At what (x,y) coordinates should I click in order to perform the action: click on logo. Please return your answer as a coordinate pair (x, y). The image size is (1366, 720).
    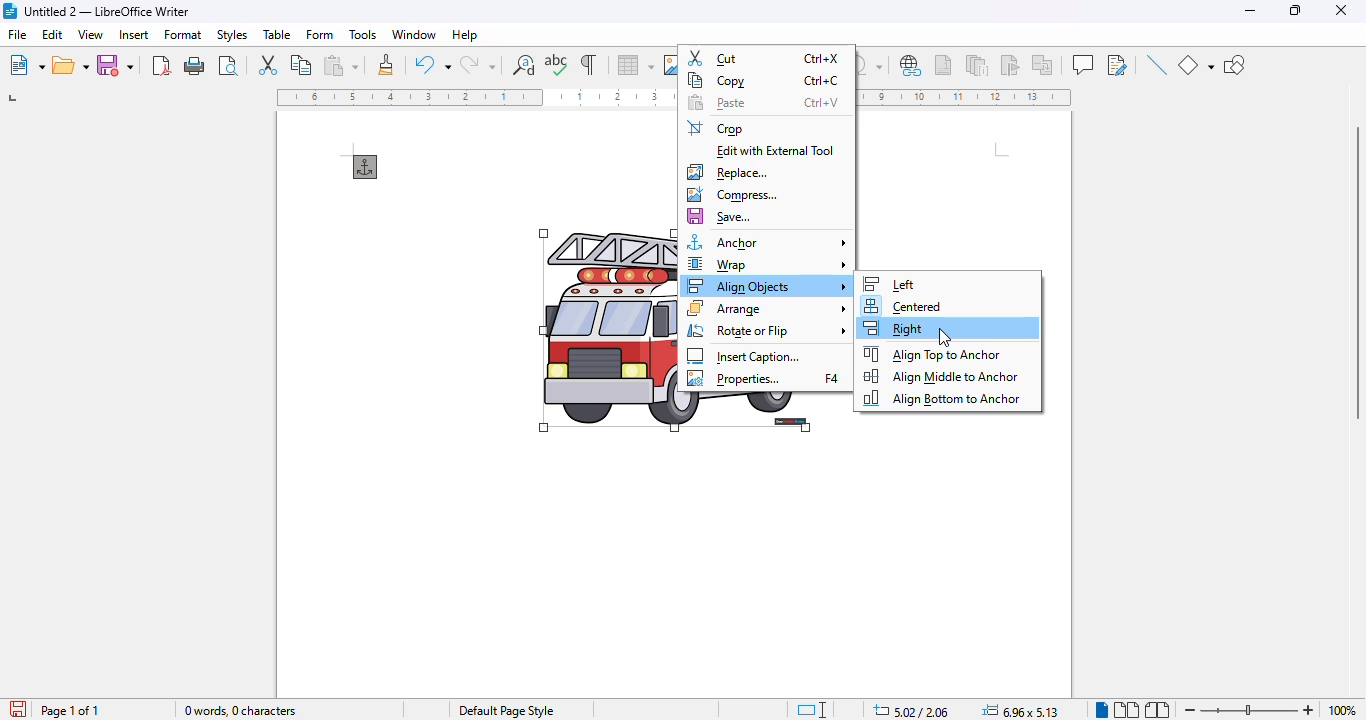
    Looking at the image, I should click on (10, 11).